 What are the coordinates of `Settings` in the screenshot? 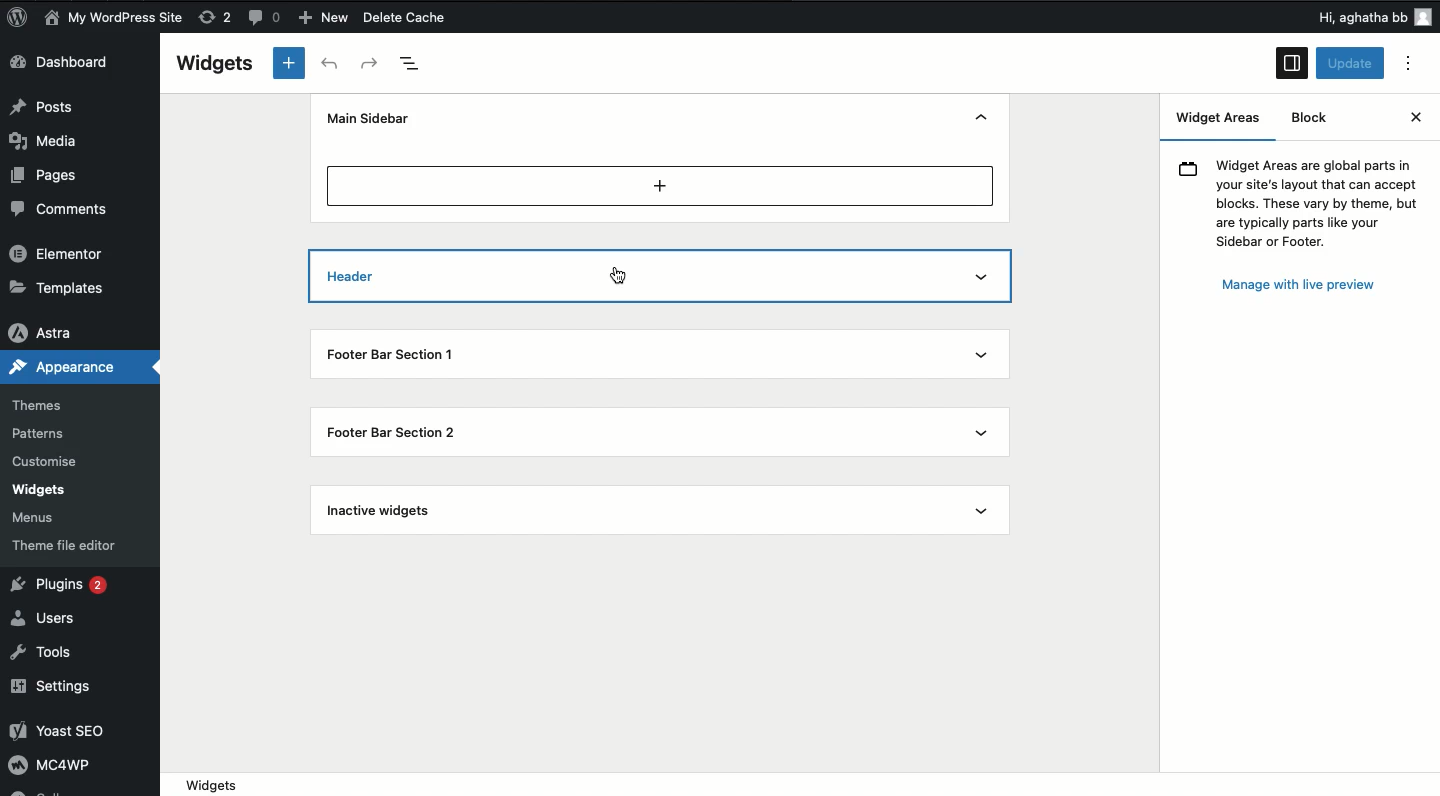 It's located at (62, 686).